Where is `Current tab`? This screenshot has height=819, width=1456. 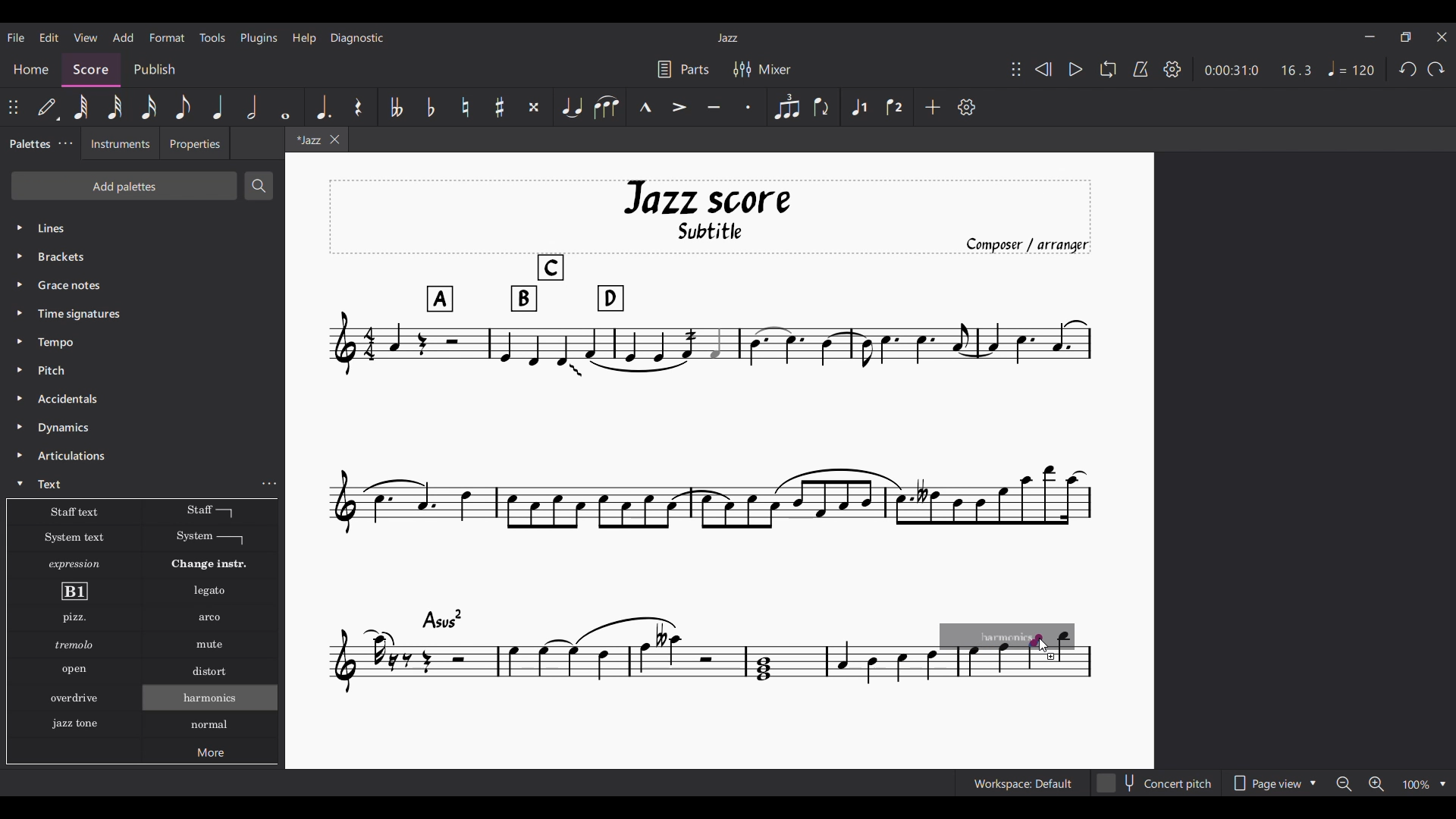 Current tab is located at coordinates (307, 140).